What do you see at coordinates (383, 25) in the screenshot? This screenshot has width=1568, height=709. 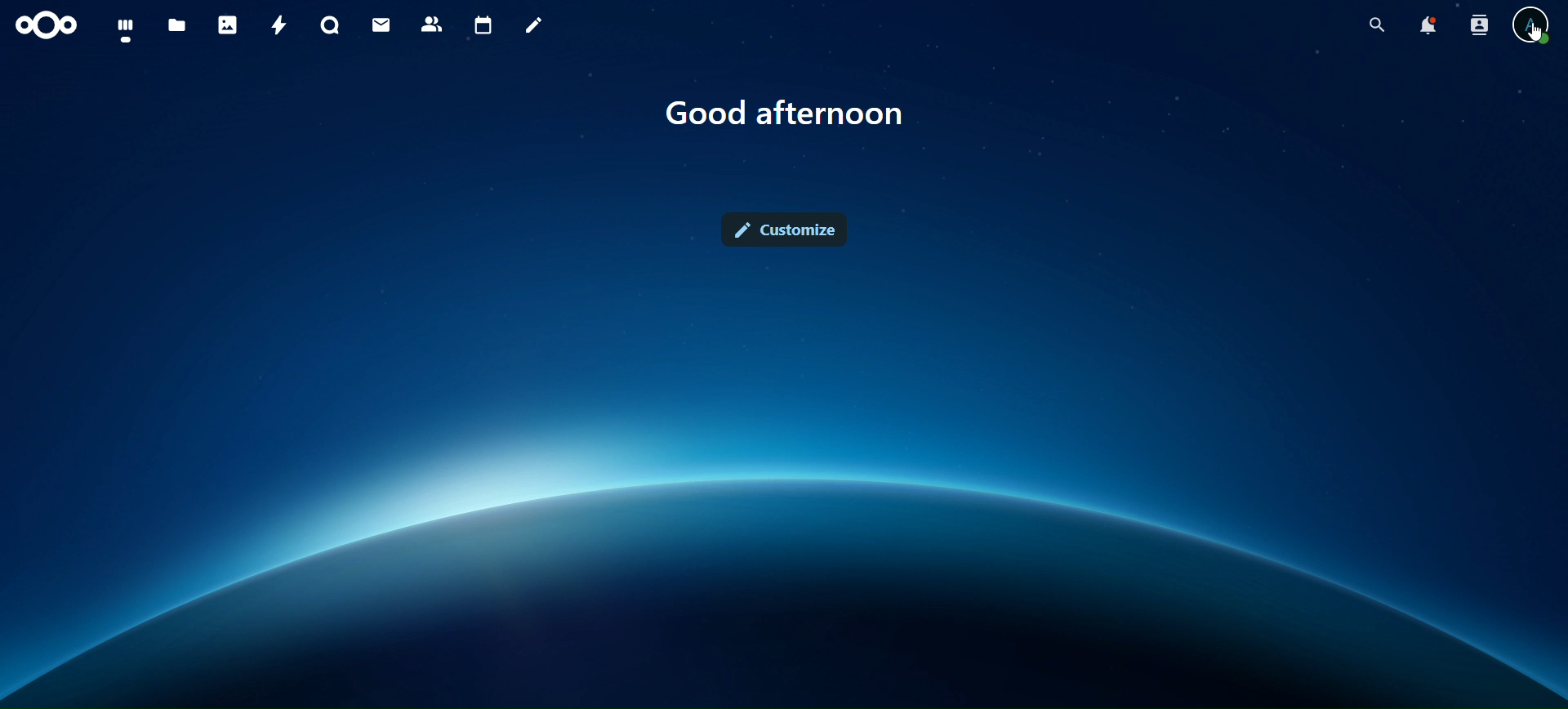 I see `mail` at bounding box center [383, 25].